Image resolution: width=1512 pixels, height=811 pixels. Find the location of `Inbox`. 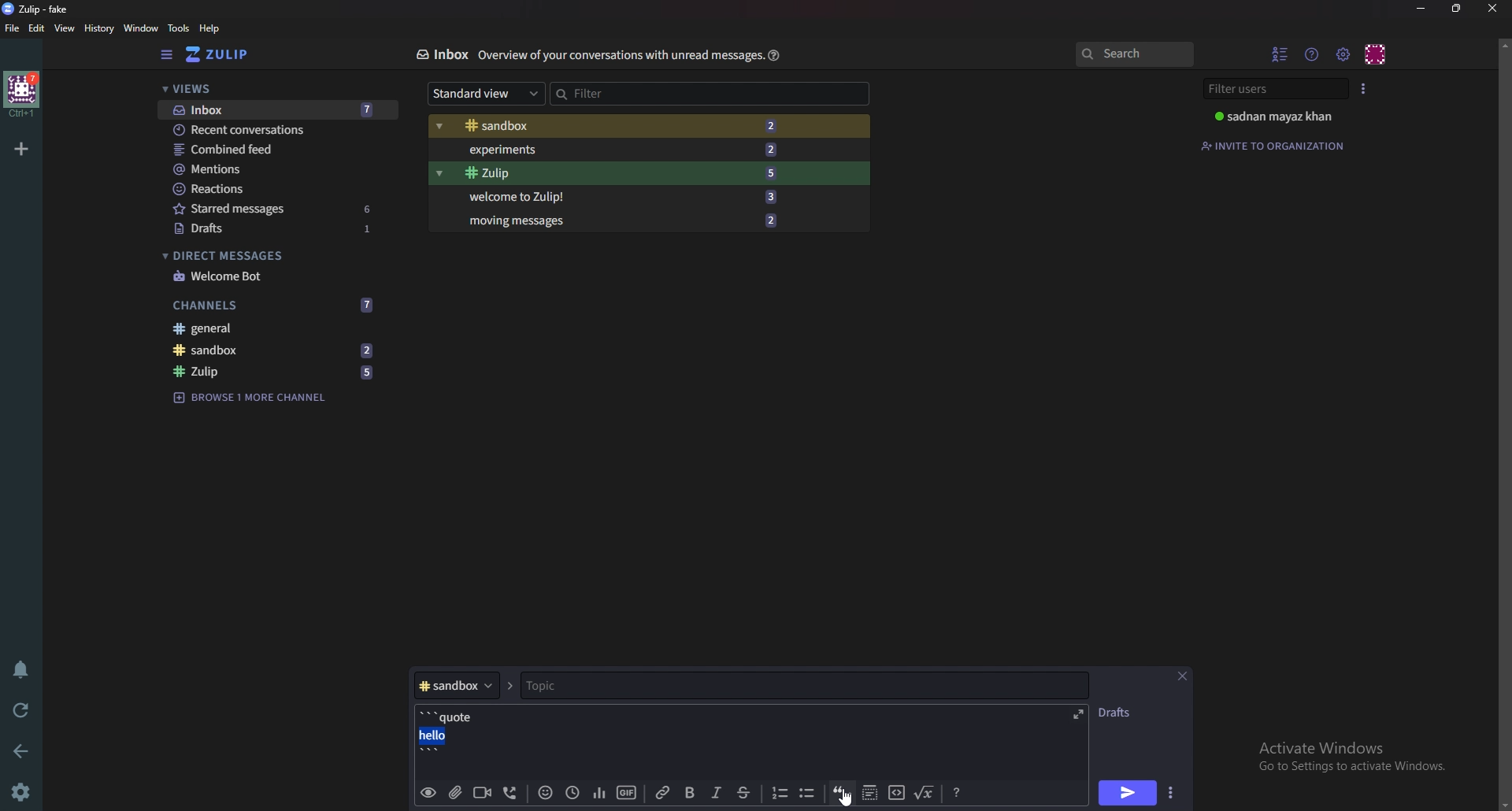

Inbox is located at coordinates (231, 109).